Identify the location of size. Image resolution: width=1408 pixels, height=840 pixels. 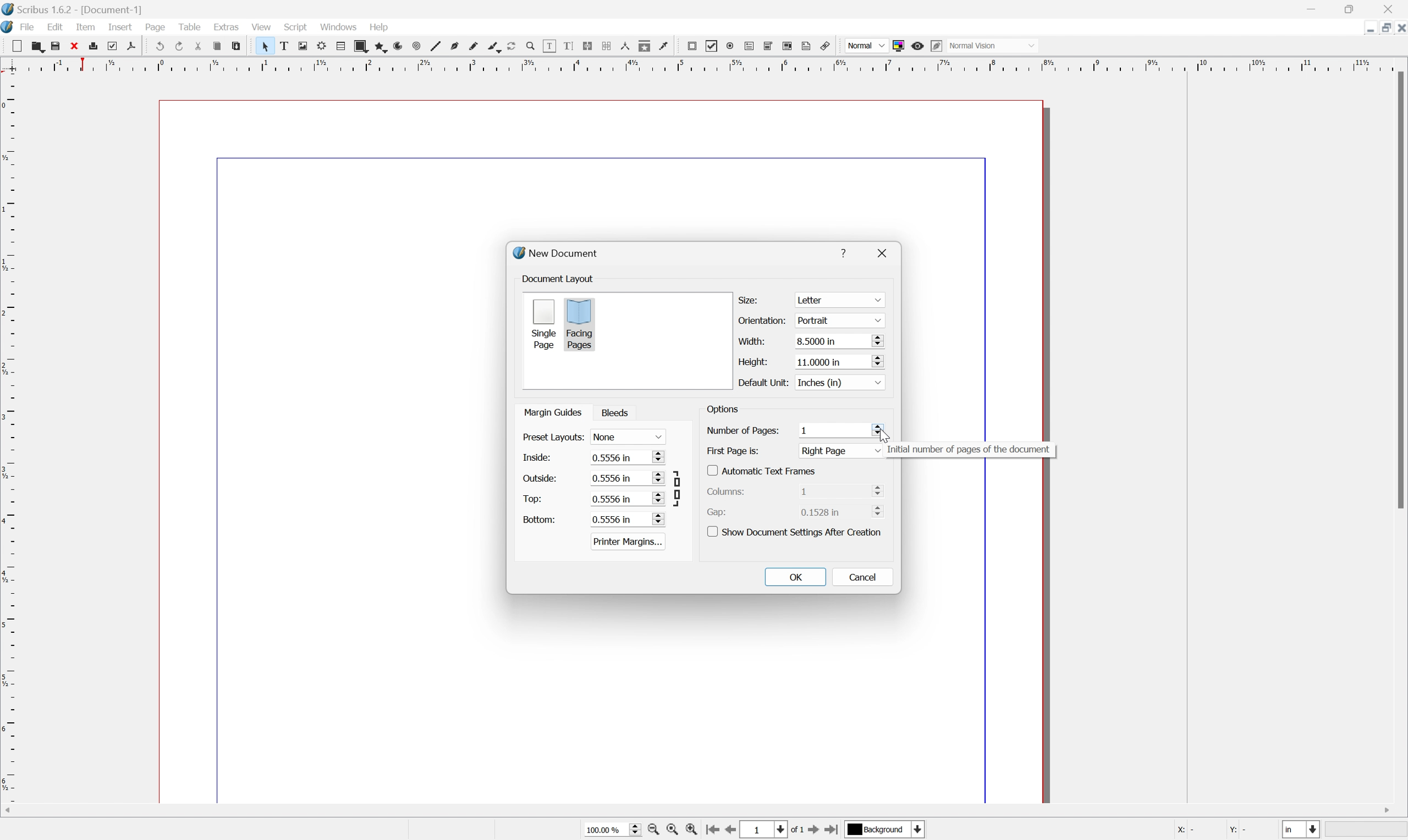
(751, 299).